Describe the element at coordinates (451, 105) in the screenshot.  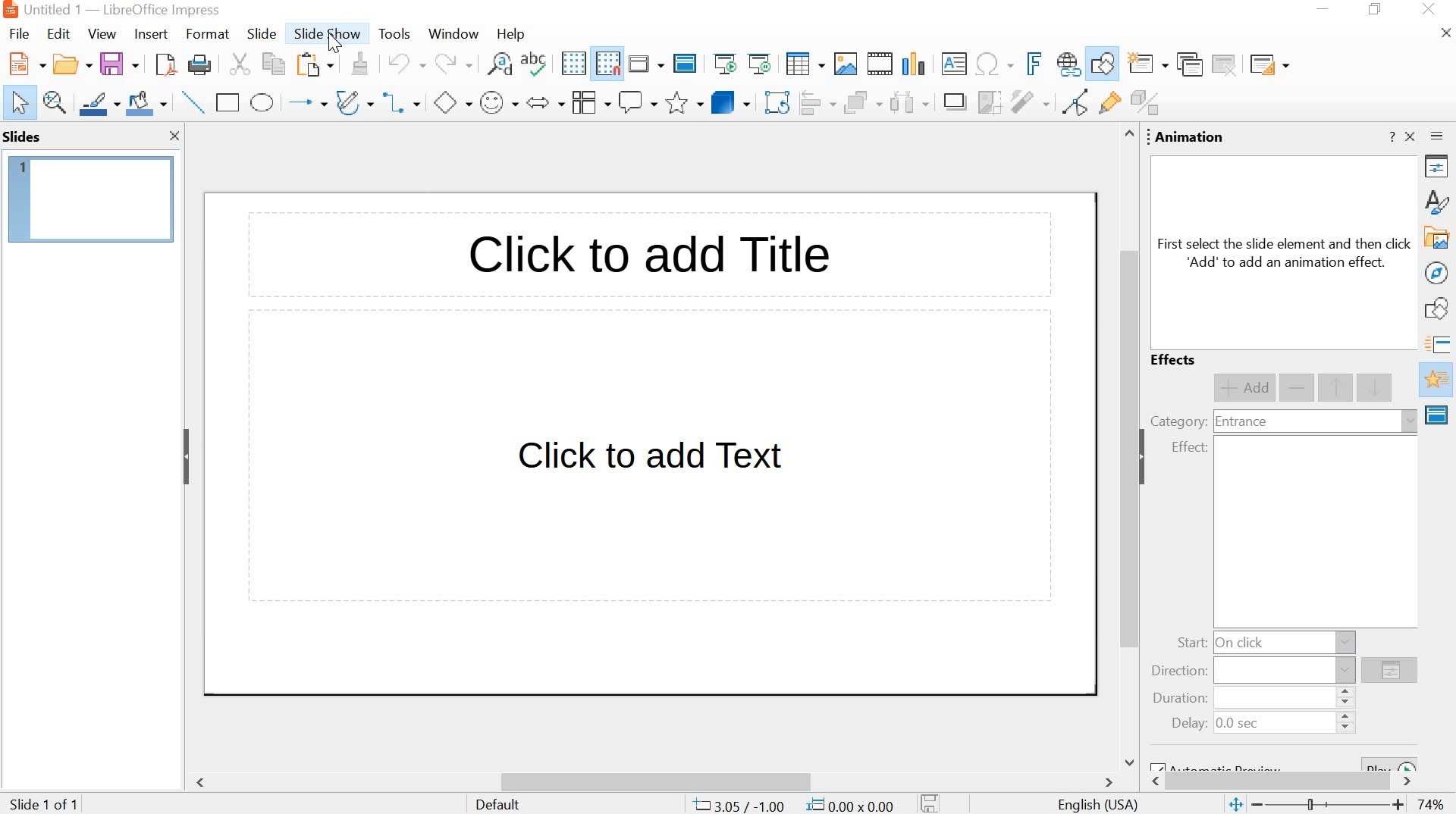
I see `basic shapes` at that location.